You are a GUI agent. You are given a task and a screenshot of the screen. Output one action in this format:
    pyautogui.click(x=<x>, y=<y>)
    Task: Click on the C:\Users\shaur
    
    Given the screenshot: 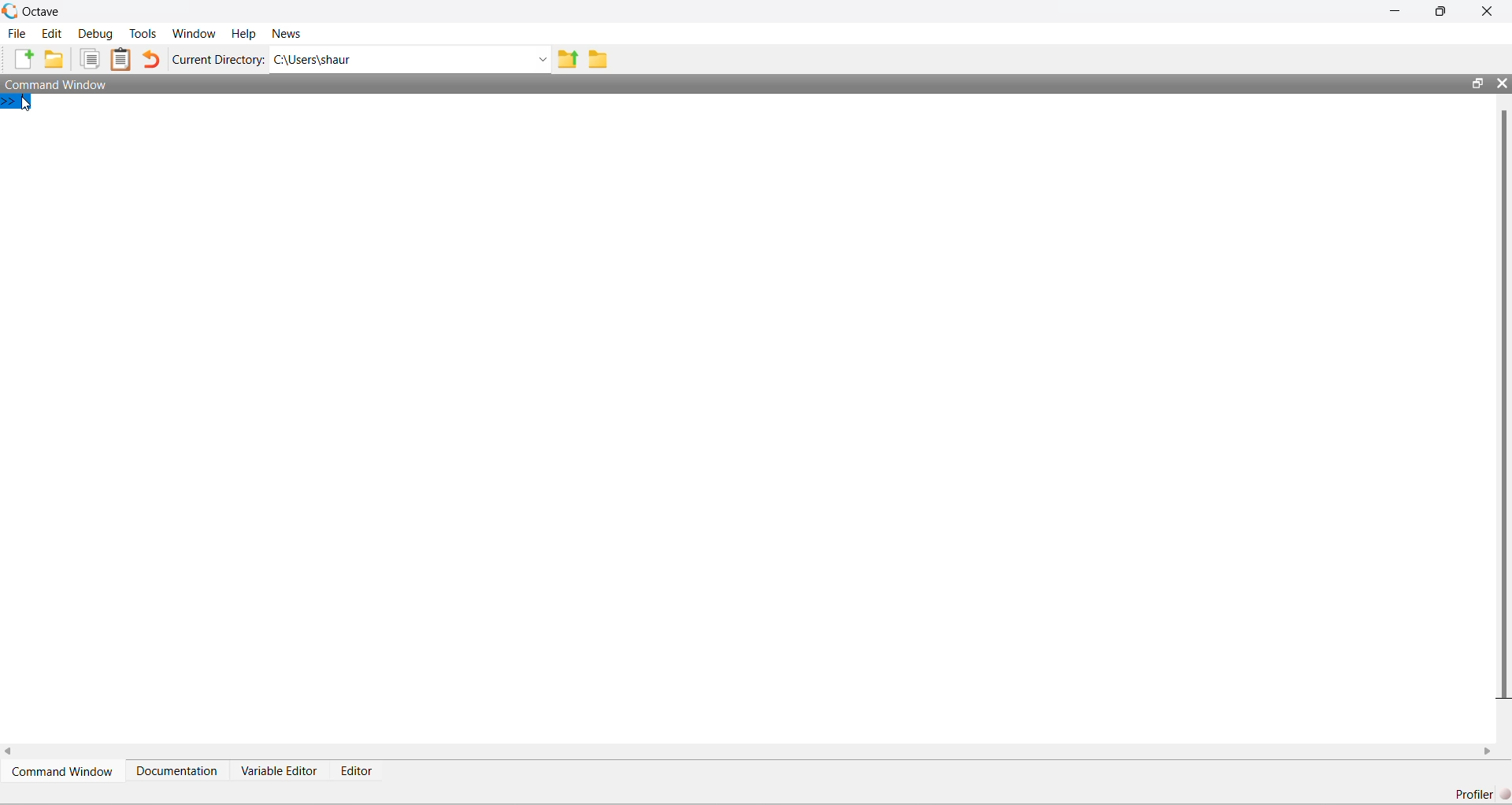 What is the action you would take?
    pyautogui.click(x=313, y=60)
    